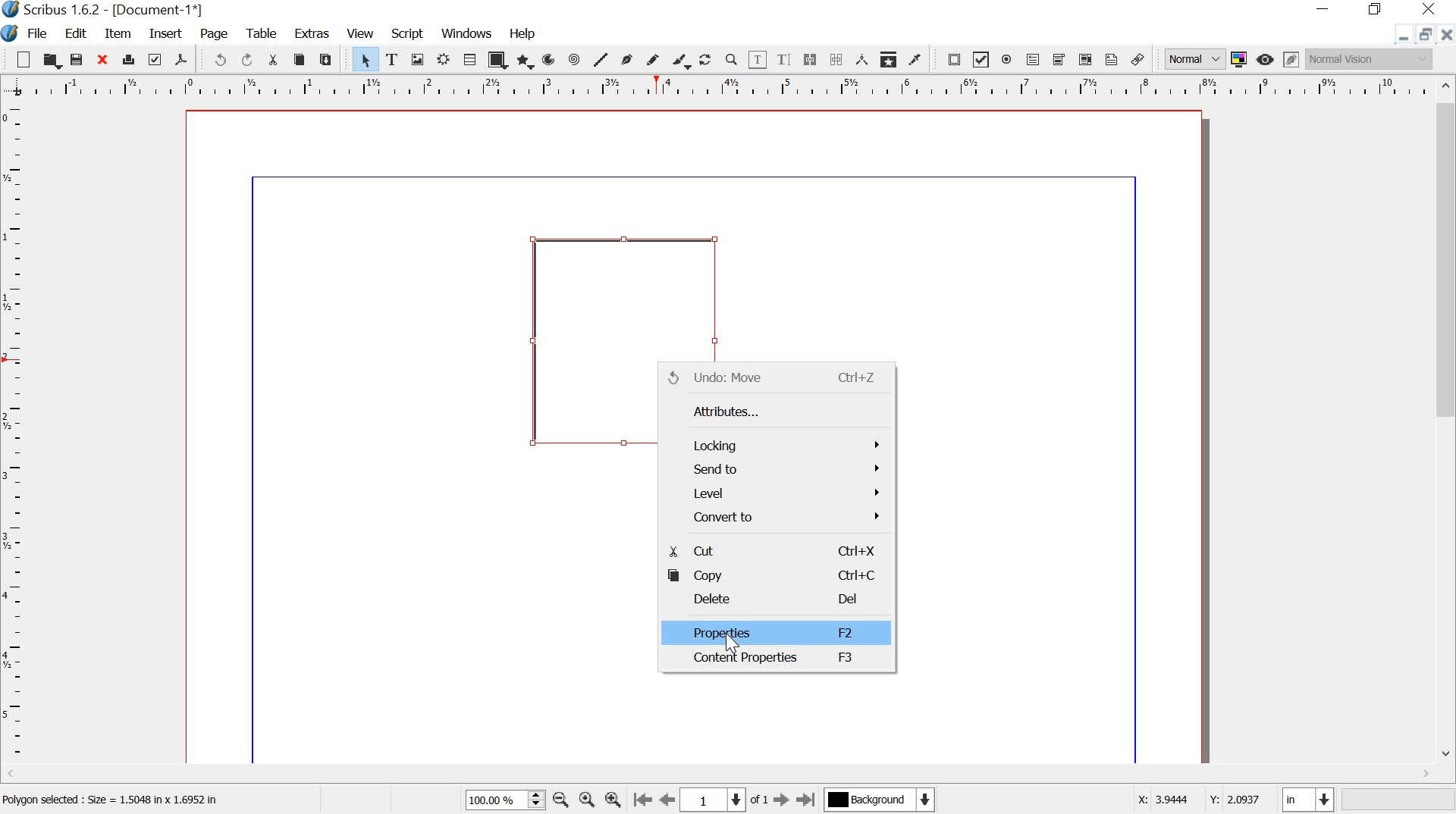 The width and height of the screenshot is (1456, 814). What do you see at coordinates (981, 60) in the screenshot?
I see `pdf check box` at bounding box center [981, 60].